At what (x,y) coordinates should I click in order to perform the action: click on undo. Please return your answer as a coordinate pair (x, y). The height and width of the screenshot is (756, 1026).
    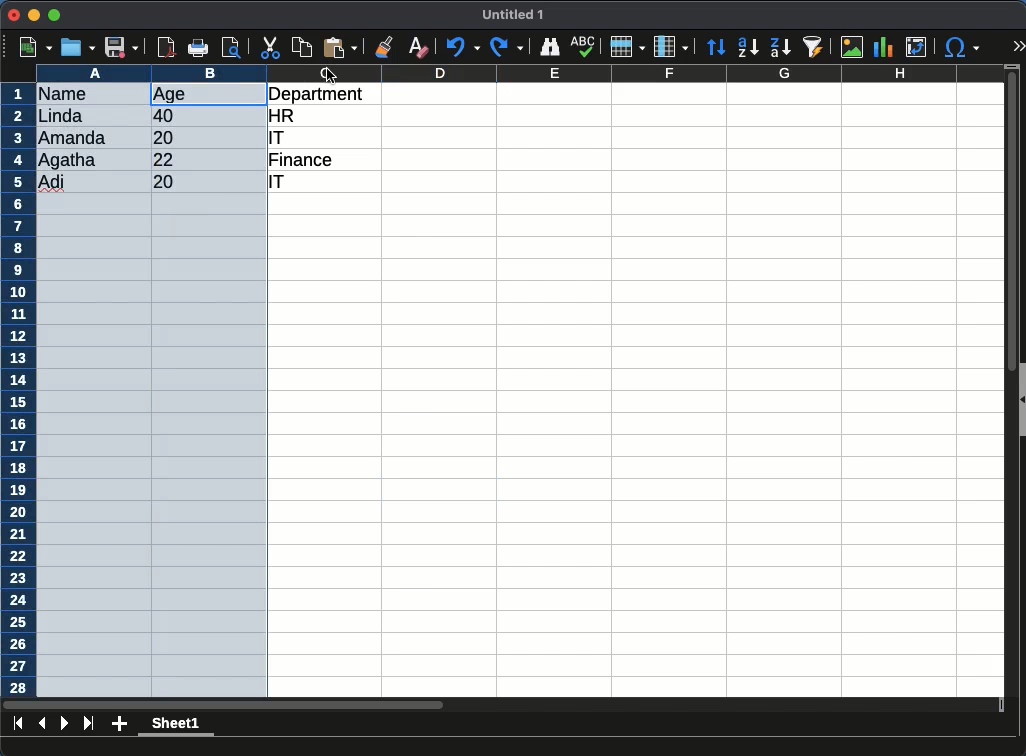
    Looking at the image, I should click on (463, 48).